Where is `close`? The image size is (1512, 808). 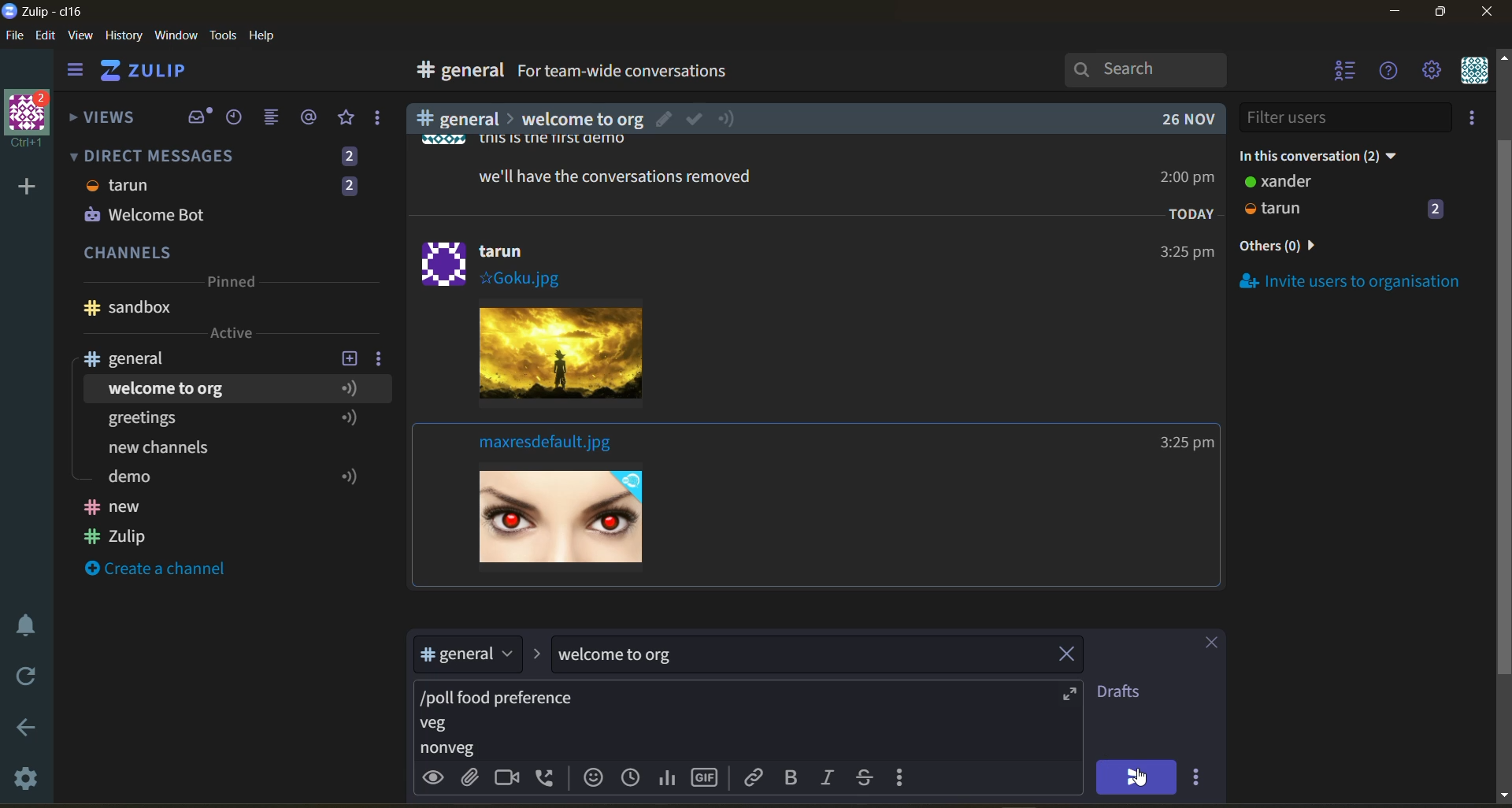
close is located at coordinates (1488, 17).